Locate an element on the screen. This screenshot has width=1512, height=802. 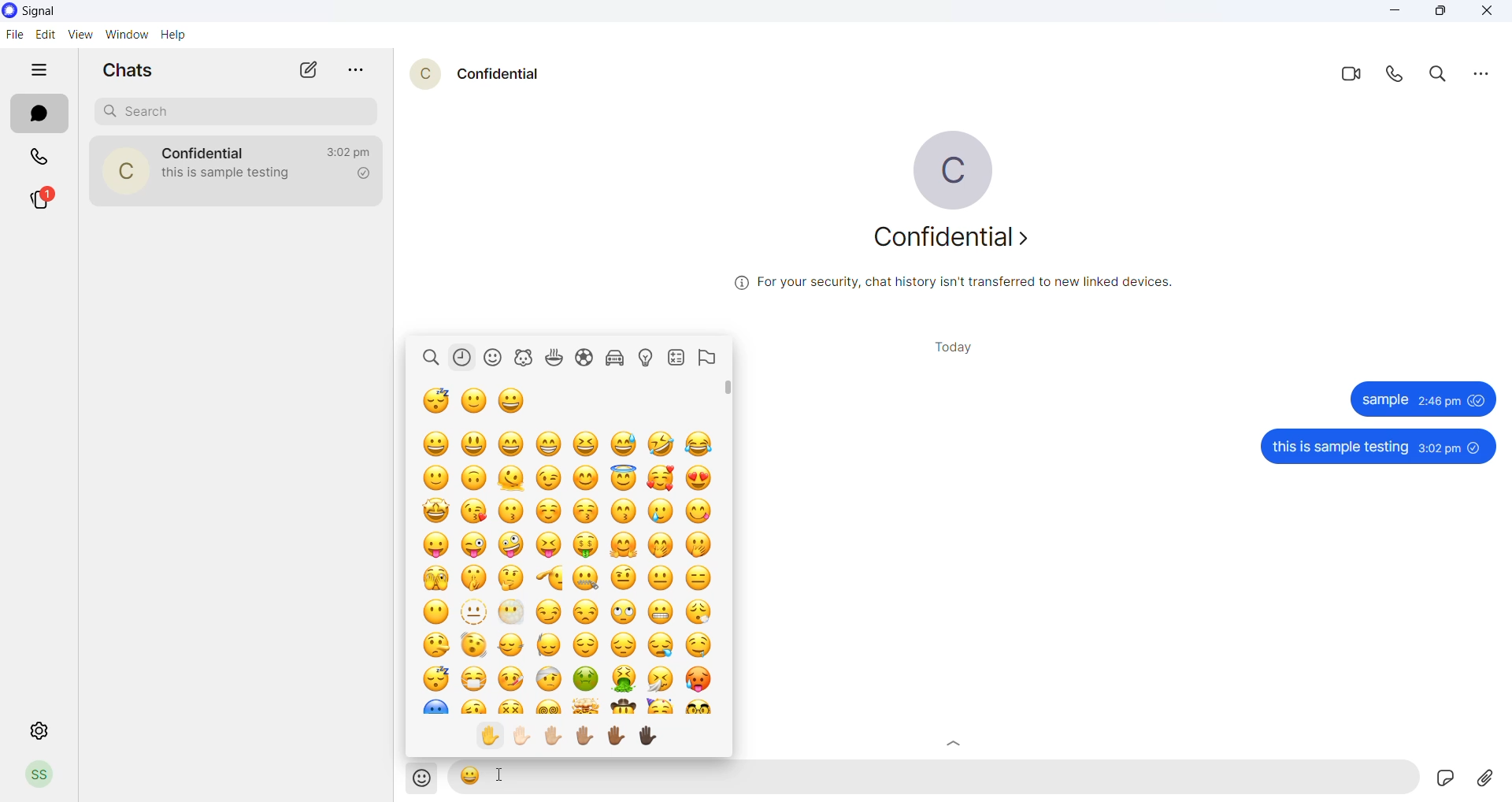
smiley emojis is located at coordinates (498, 358).